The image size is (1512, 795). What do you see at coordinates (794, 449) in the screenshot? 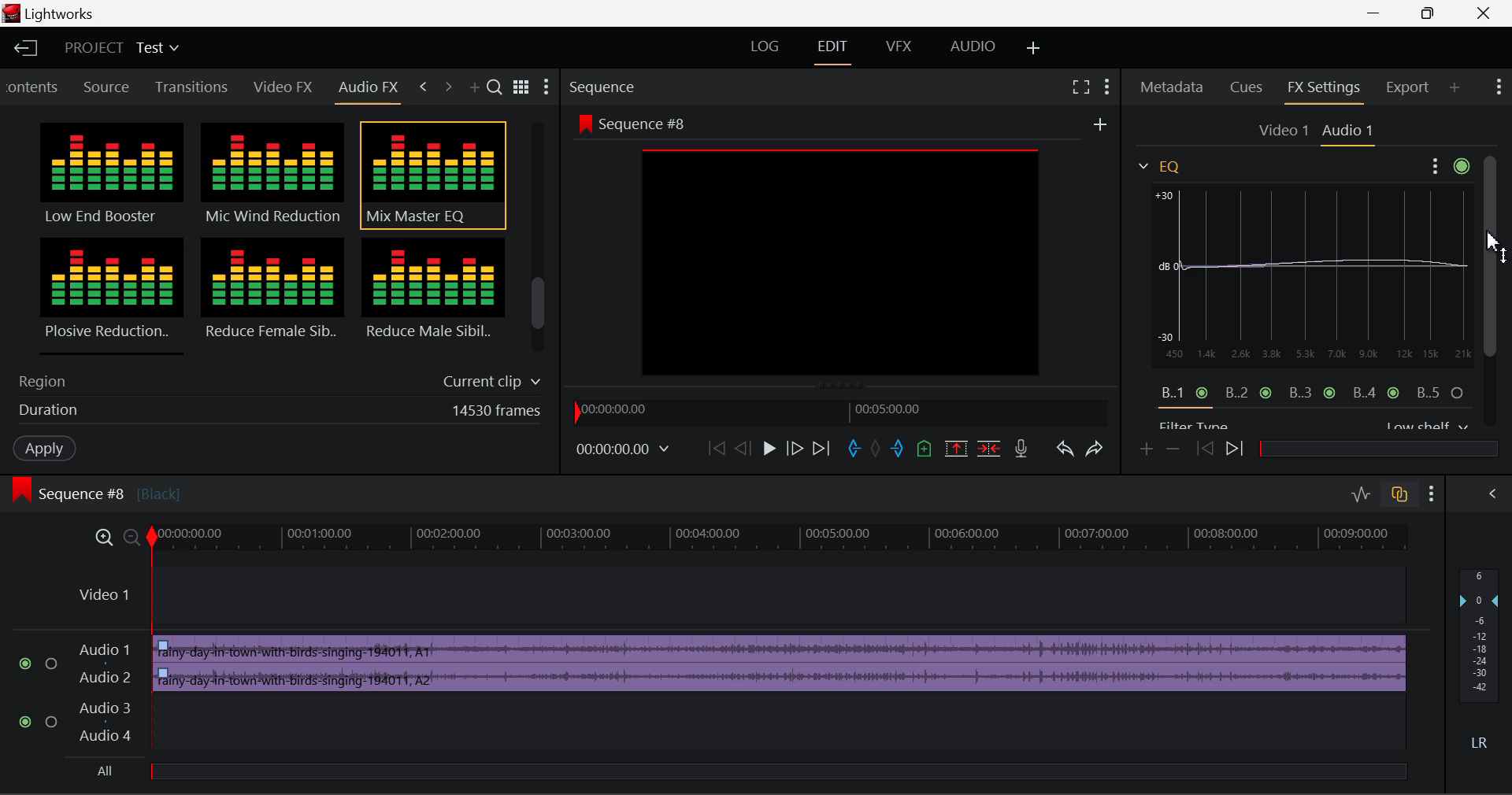
I see `Go Forward` at bounding box center [794, 449].